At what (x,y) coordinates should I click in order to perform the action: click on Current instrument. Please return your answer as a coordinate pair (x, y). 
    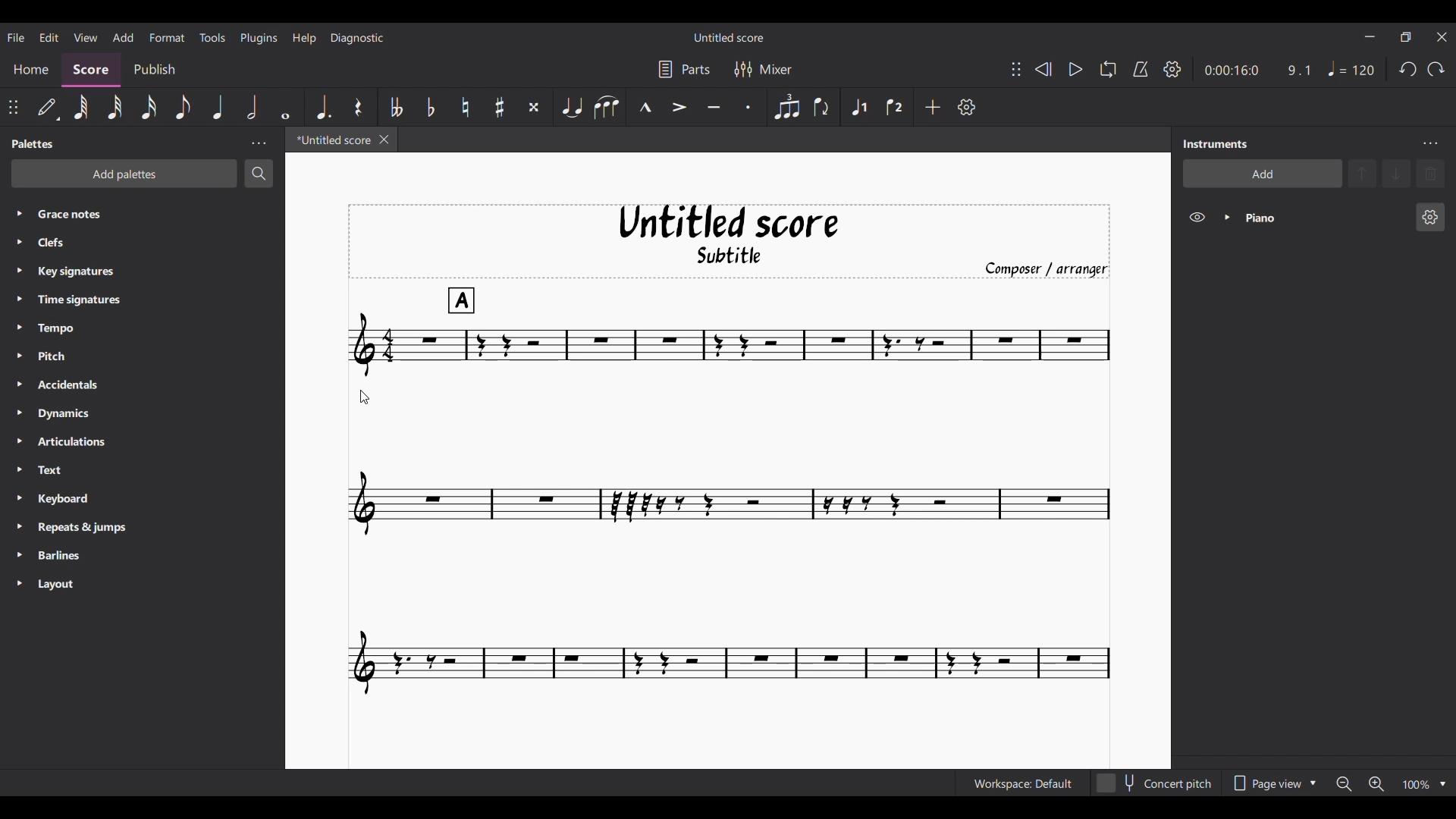
    Looking at the image, I should click on (1321, 218).